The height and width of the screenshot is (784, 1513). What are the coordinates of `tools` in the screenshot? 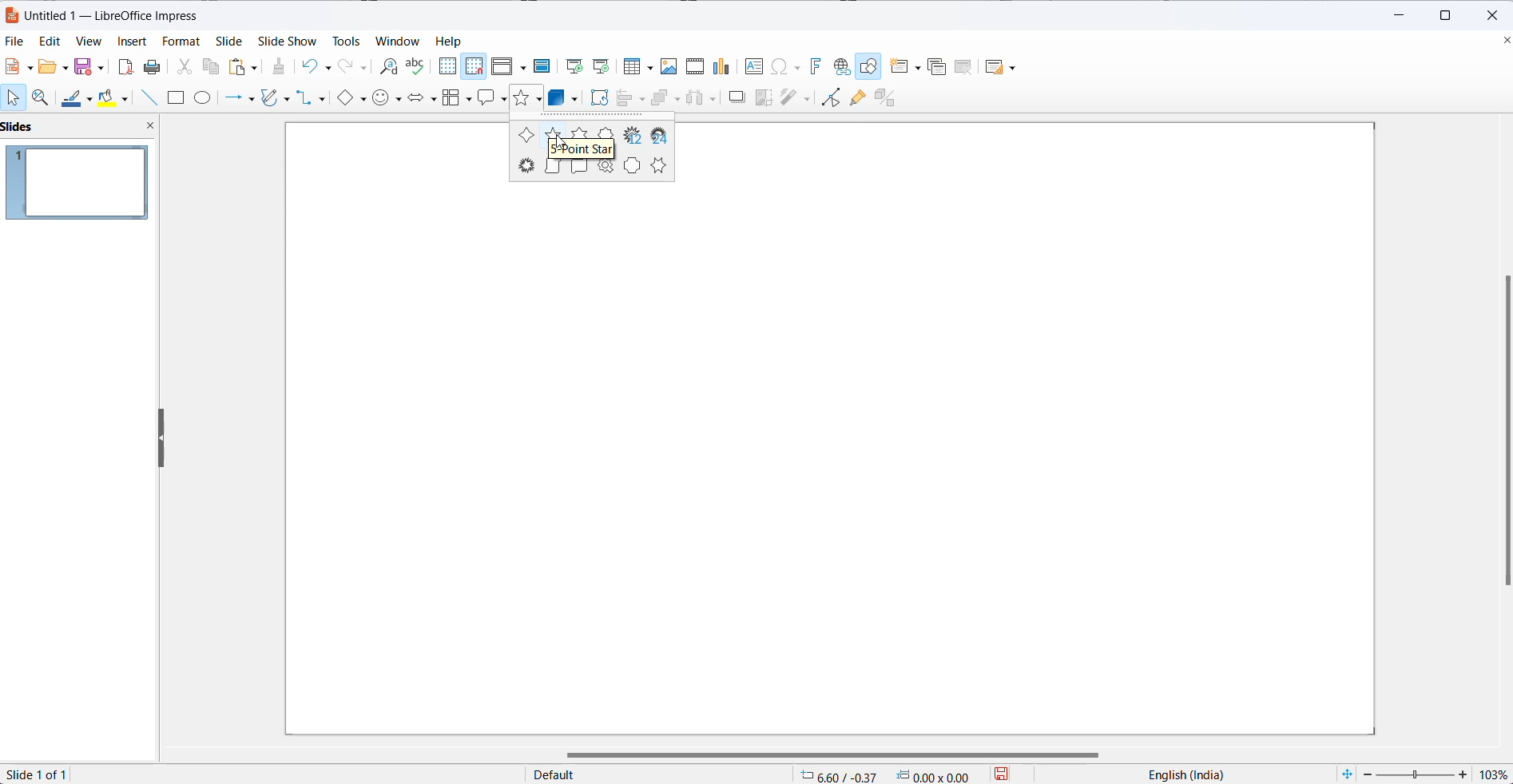 It's located at (344, 39).